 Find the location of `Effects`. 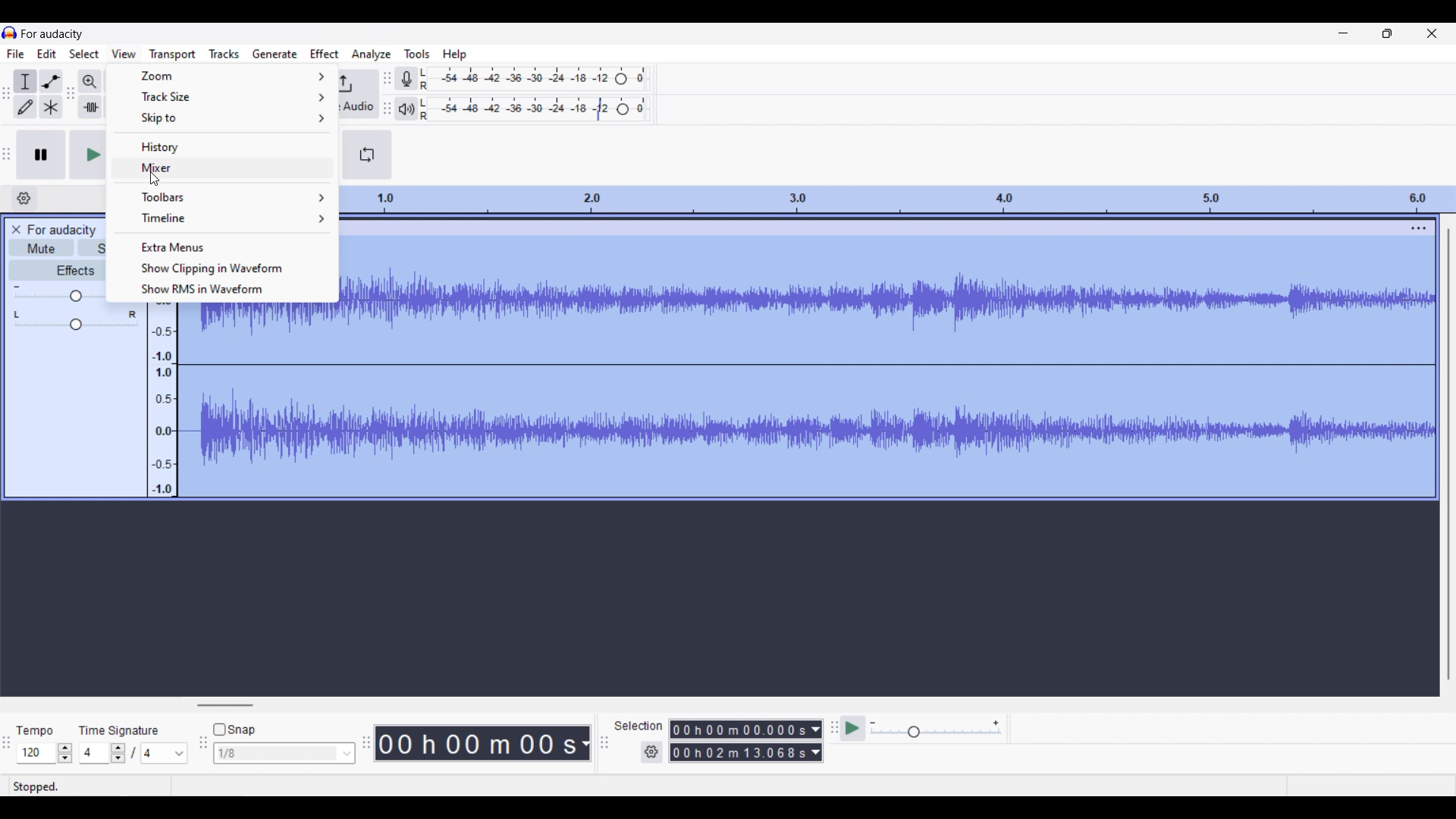

Effects is located at coordinates (56, 269).